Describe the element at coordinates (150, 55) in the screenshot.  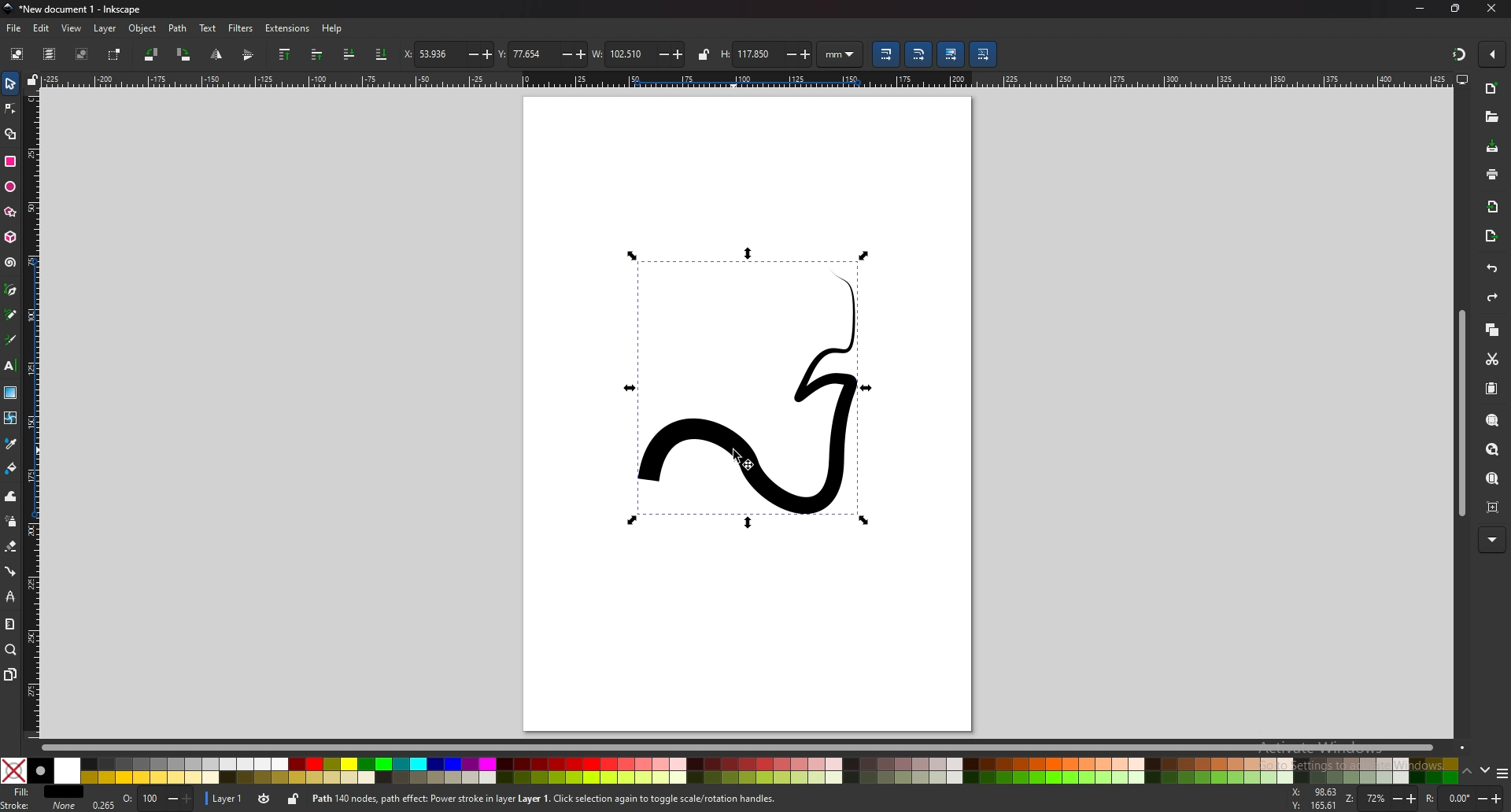
I see `rotate 90 degree ccw` at that location.